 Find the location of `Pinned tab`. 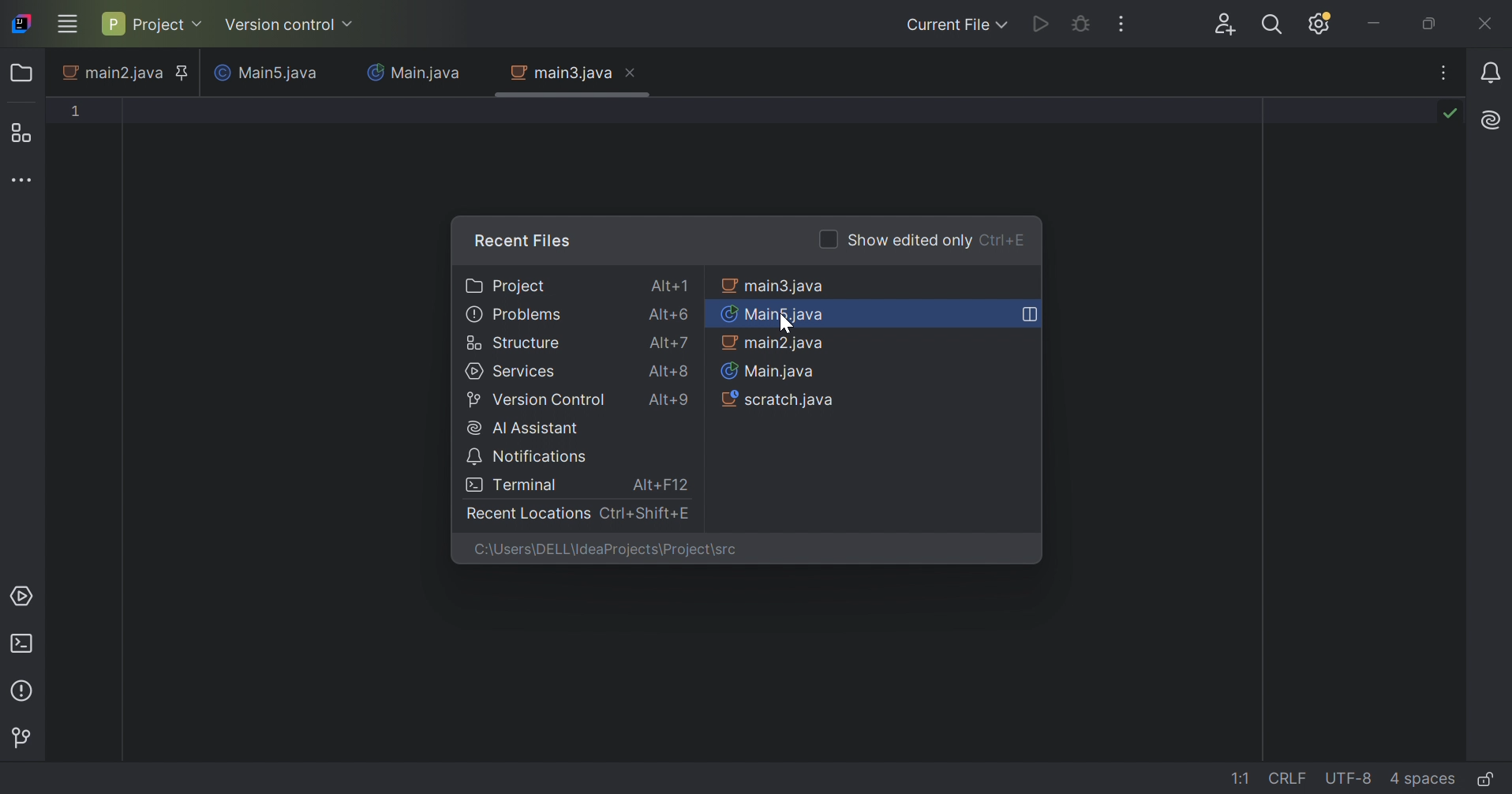

Pinned tab is located at coordinates (183, 73).